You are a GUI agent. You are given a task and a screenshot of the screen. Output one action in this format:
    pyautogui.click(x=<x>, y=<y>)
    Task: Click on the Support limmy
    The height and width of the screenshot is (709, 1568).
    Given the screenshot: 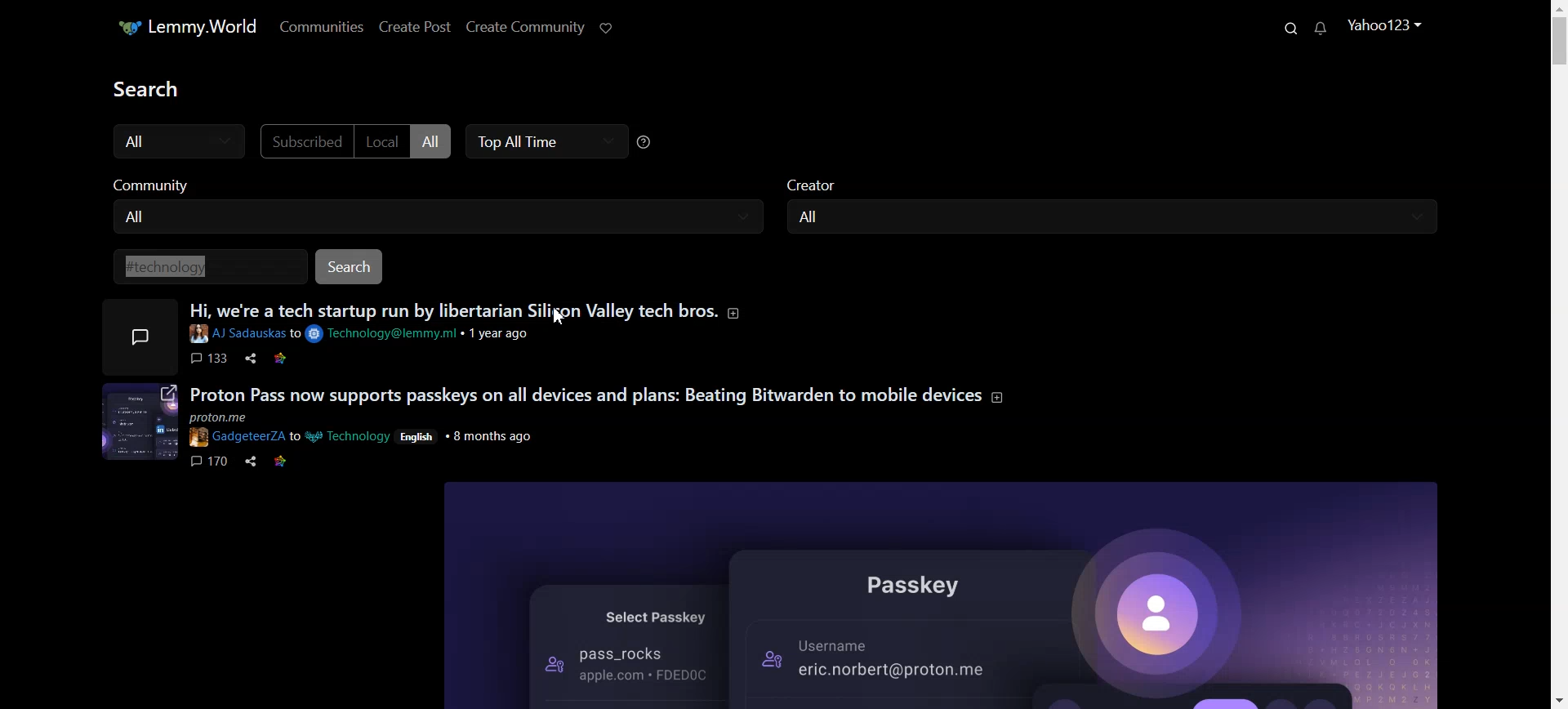 What is the action you would take?
    pyautogui.click(x=607, y=26)
    